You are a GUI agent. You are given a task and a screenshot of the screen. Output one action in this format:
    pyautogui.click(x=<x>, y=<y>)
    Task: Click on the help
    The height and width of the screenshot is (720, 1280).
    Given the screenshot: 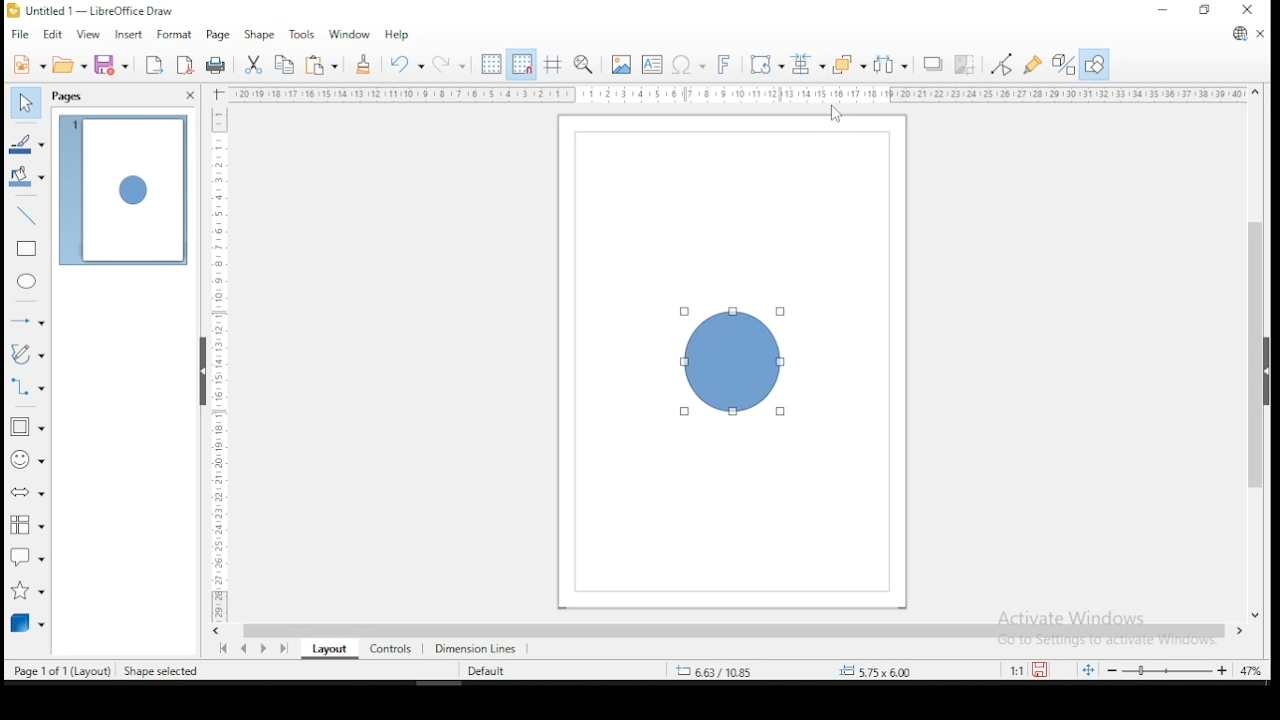 What is the action you would take?
    pyautogui.click(x=398, y=34)
    